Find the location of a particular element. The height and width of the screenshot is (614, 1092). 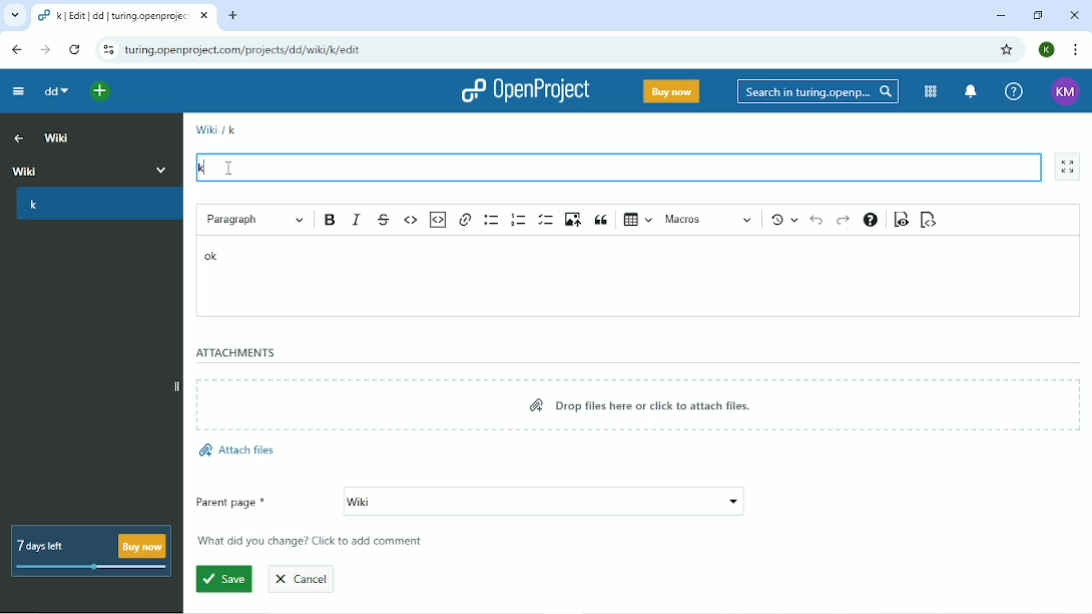

What did you change? Click to add comment. is located at coordinates (317, 542).